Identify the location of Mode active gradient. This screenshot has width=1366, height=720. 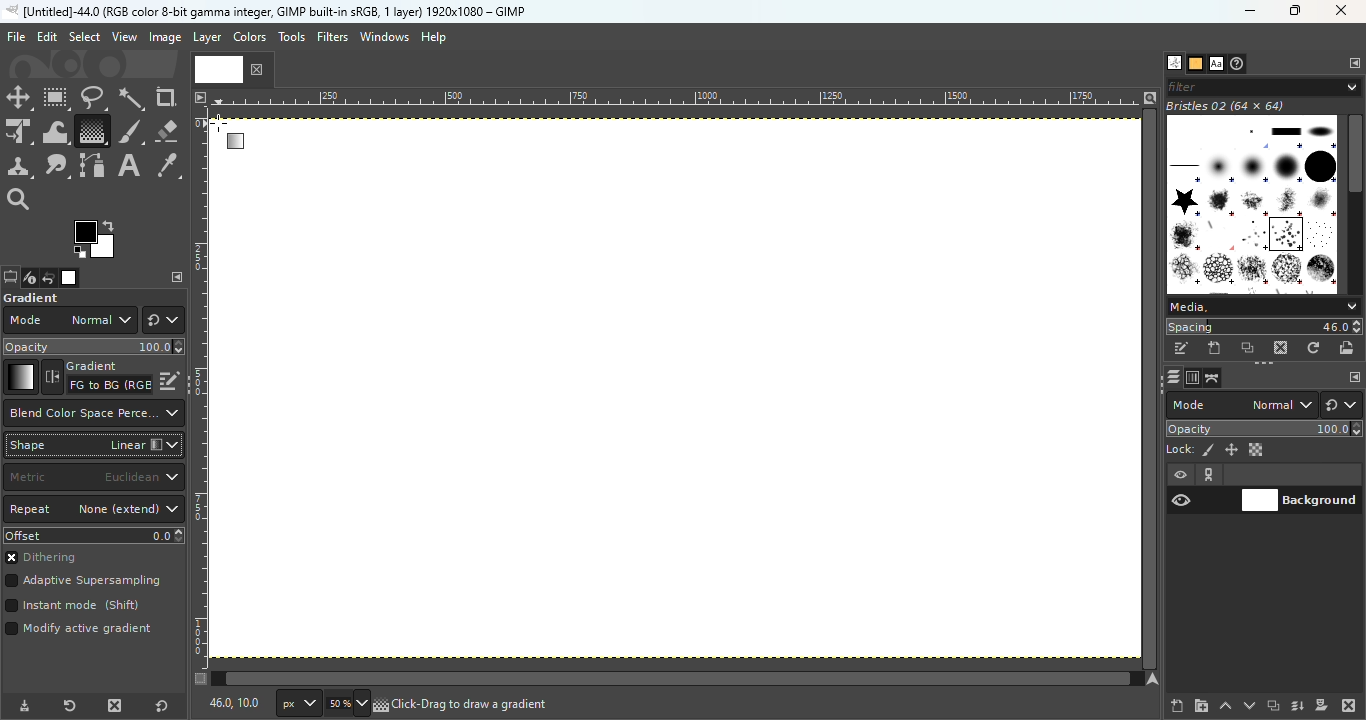
(82, 633).